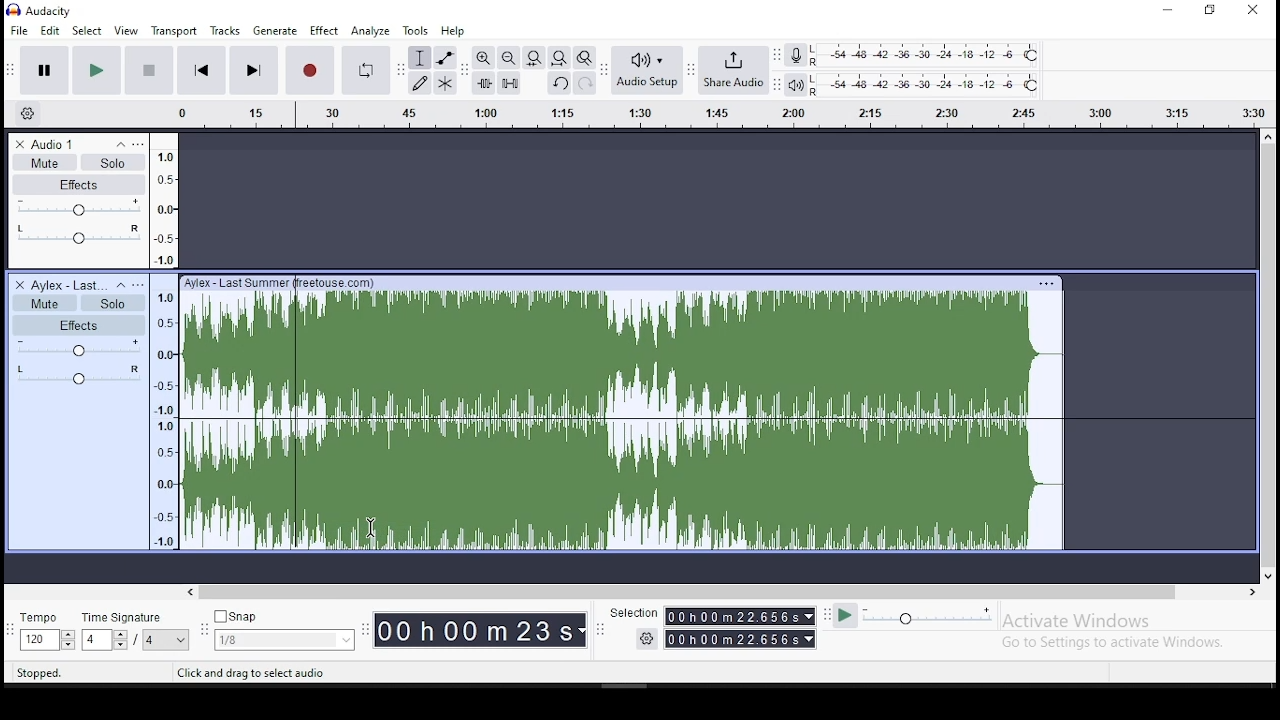 The image size is (1280, 720). I want to click on transport, so click(174, 30).